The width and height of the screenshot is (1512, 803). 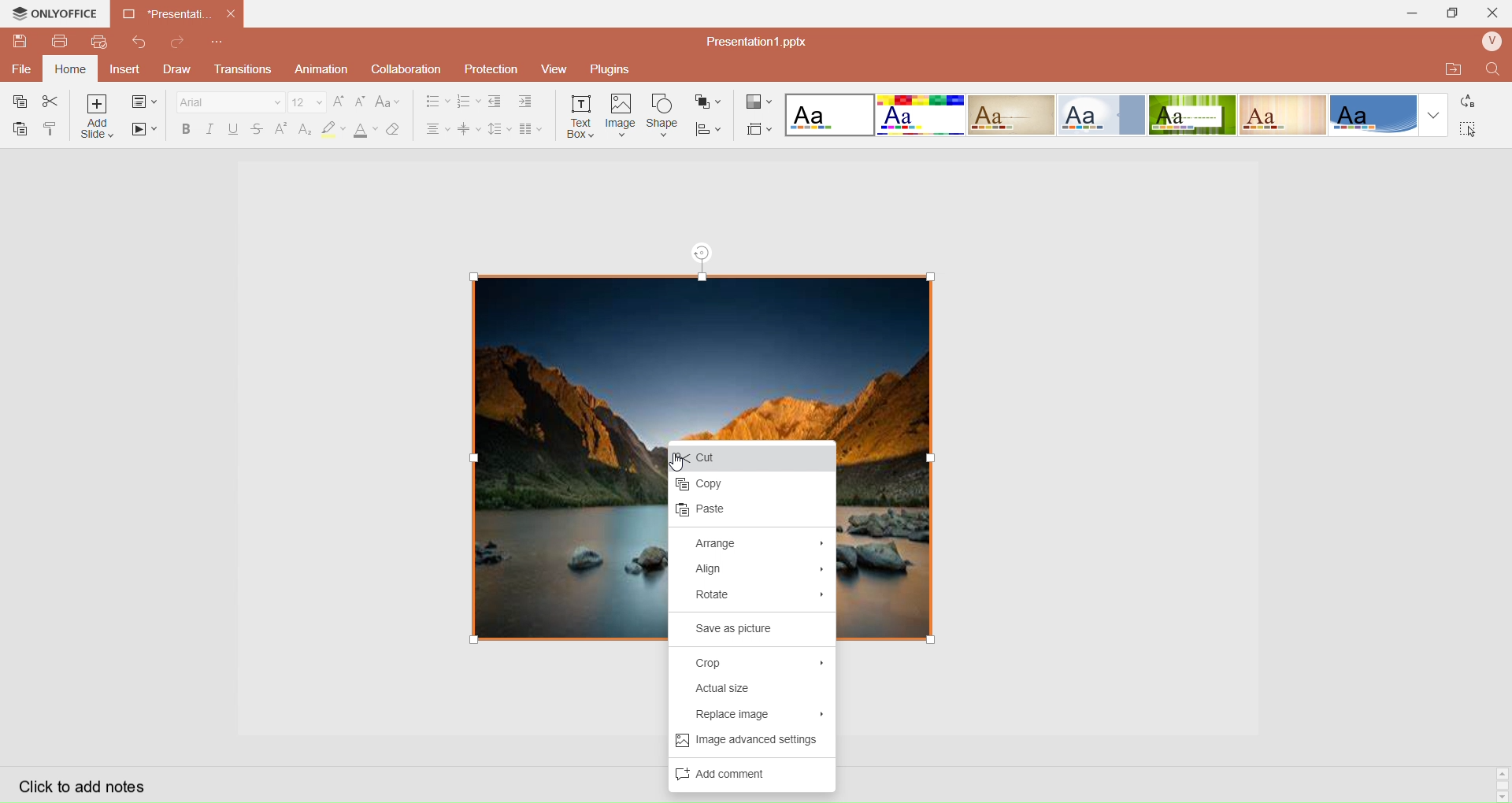 I want to click on Redo, so click(x=177, y=43).